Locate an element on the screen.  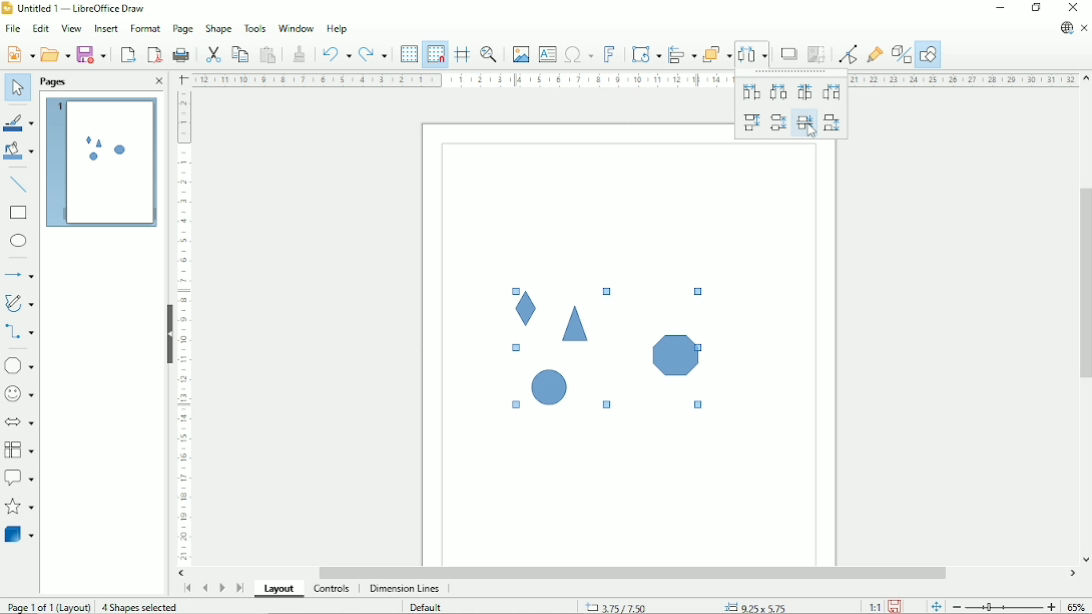
Horizontal scroll button is located at coordinates (183, 572).